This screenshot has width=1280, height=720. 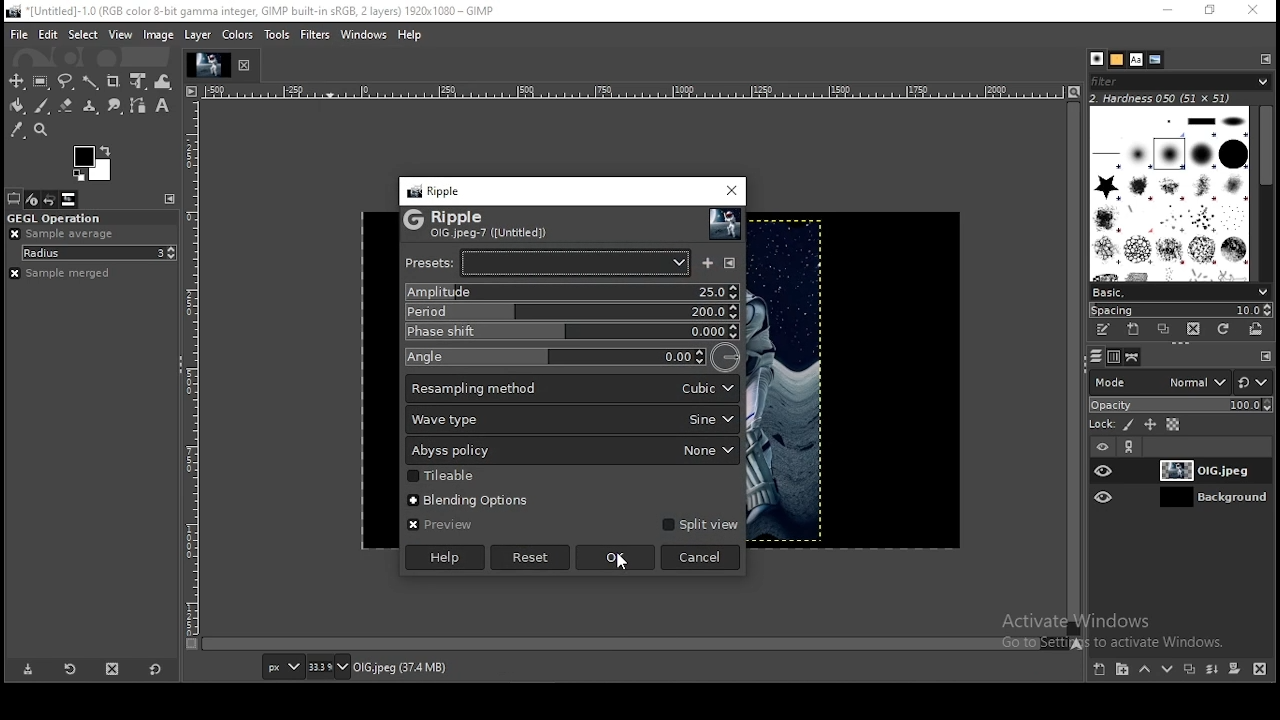 What do you see at coordinates (1155, 60) in the screenshot?
I see `document history` at bounding box center [1155, 60].